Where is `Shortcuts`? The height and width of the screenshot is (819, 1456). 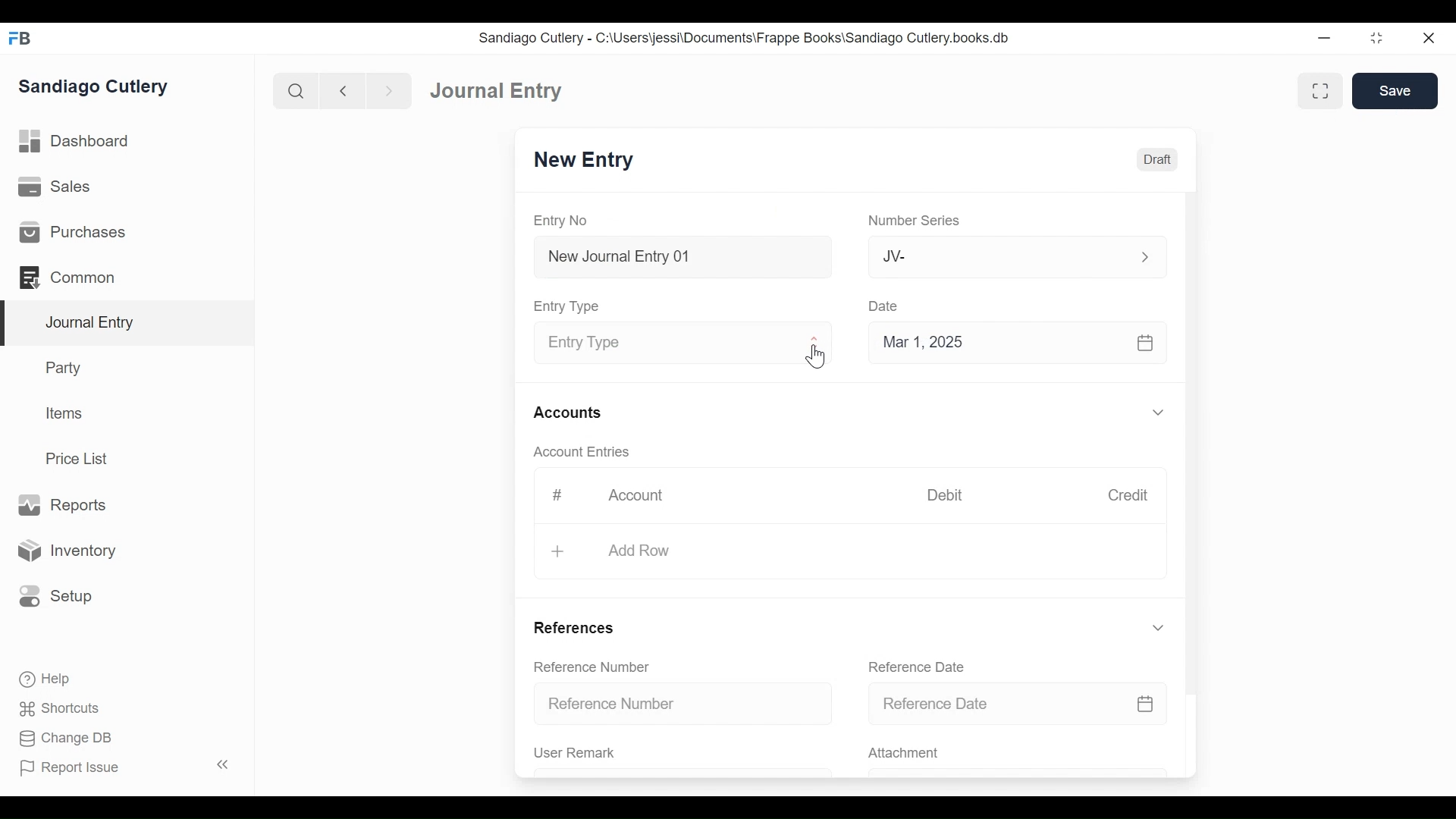 Shortcuts is located at coordinates (52, 709).